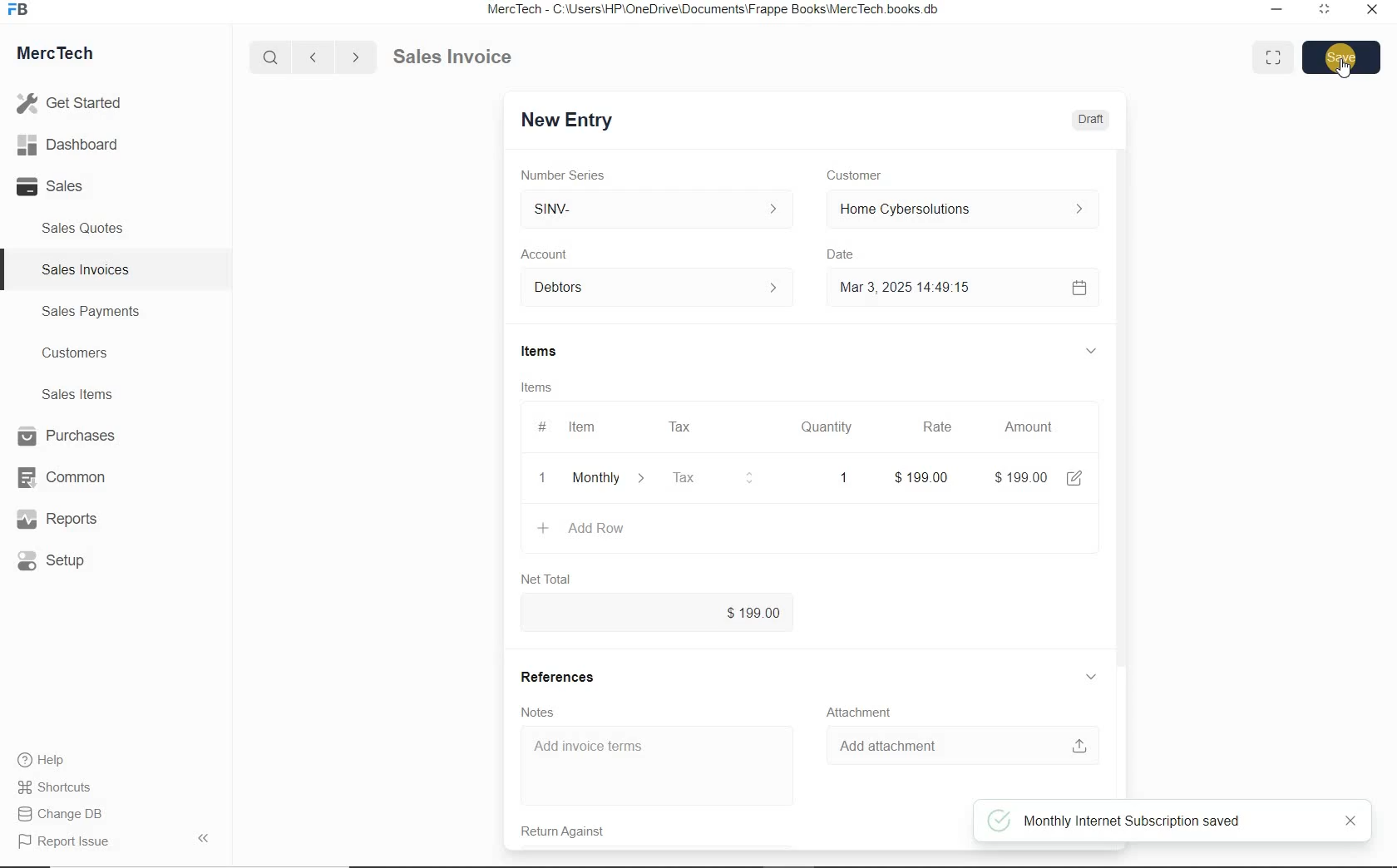 The height and width of the screenshot is (868, 1397). Describe the element at coordinates (272, 57) in the screenshot. I see `Search` at that location.